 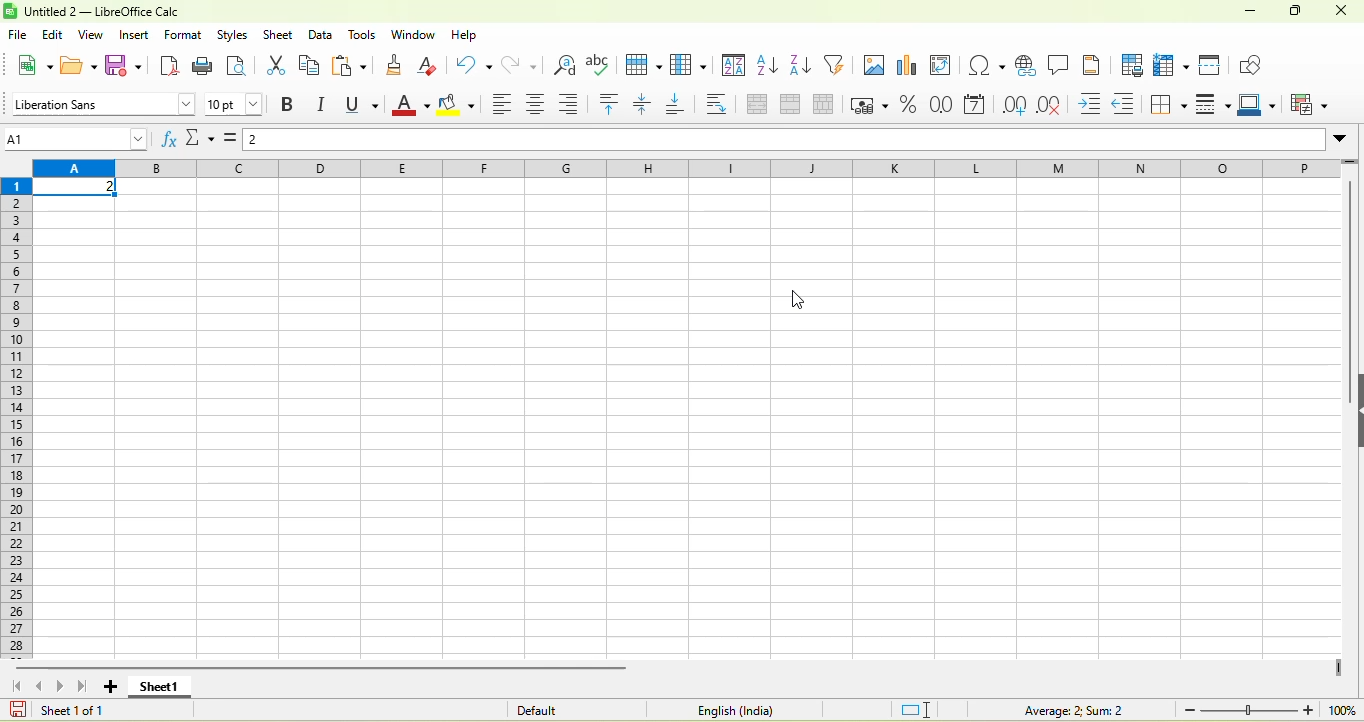 What do you see at coordinates (231, 35) in the screenshot?
I see `styles` at bounding box center [231, 35].